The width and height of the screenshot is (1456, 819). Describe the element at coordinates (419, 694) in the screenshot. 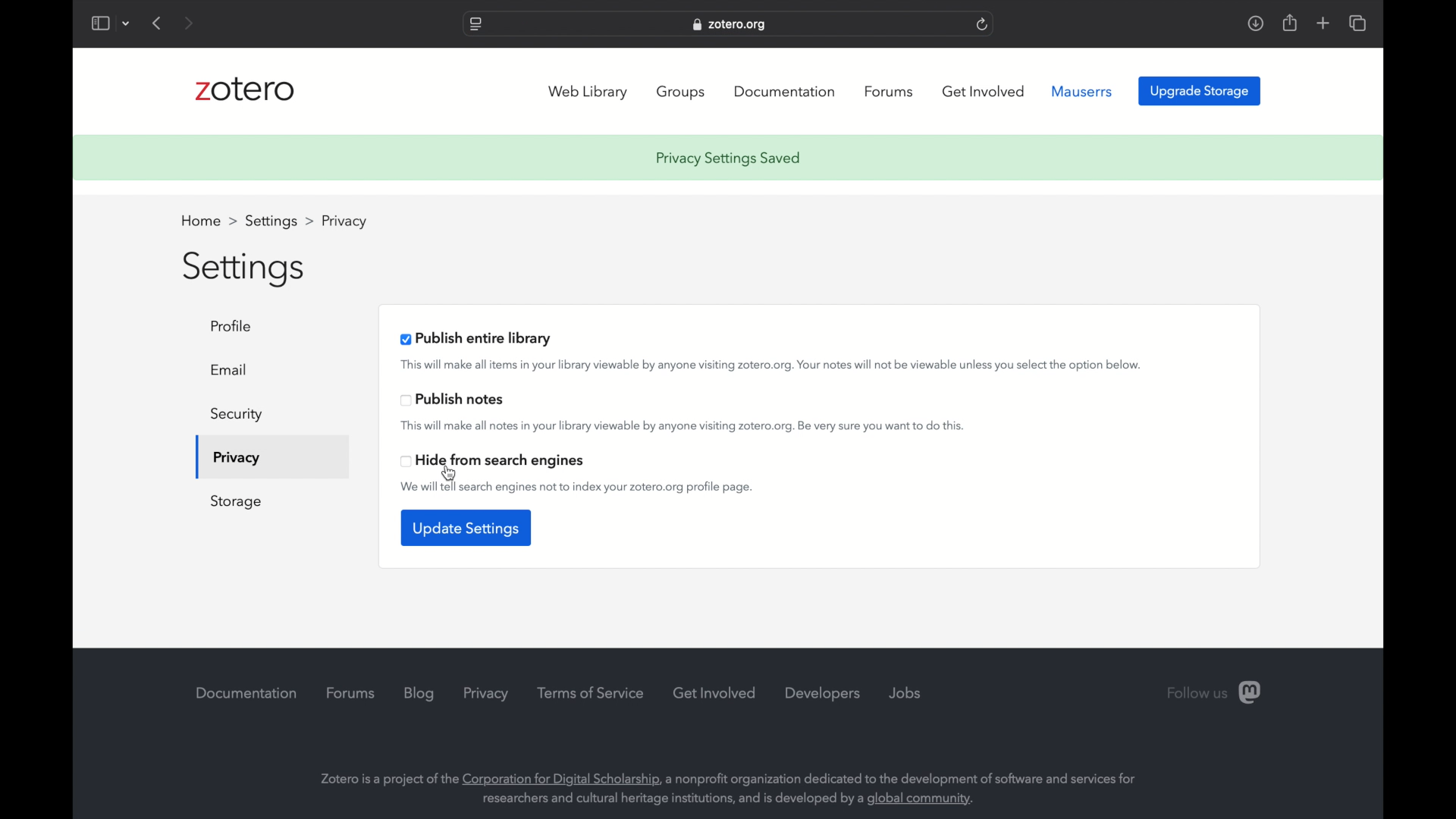

I see `blog` at that location.